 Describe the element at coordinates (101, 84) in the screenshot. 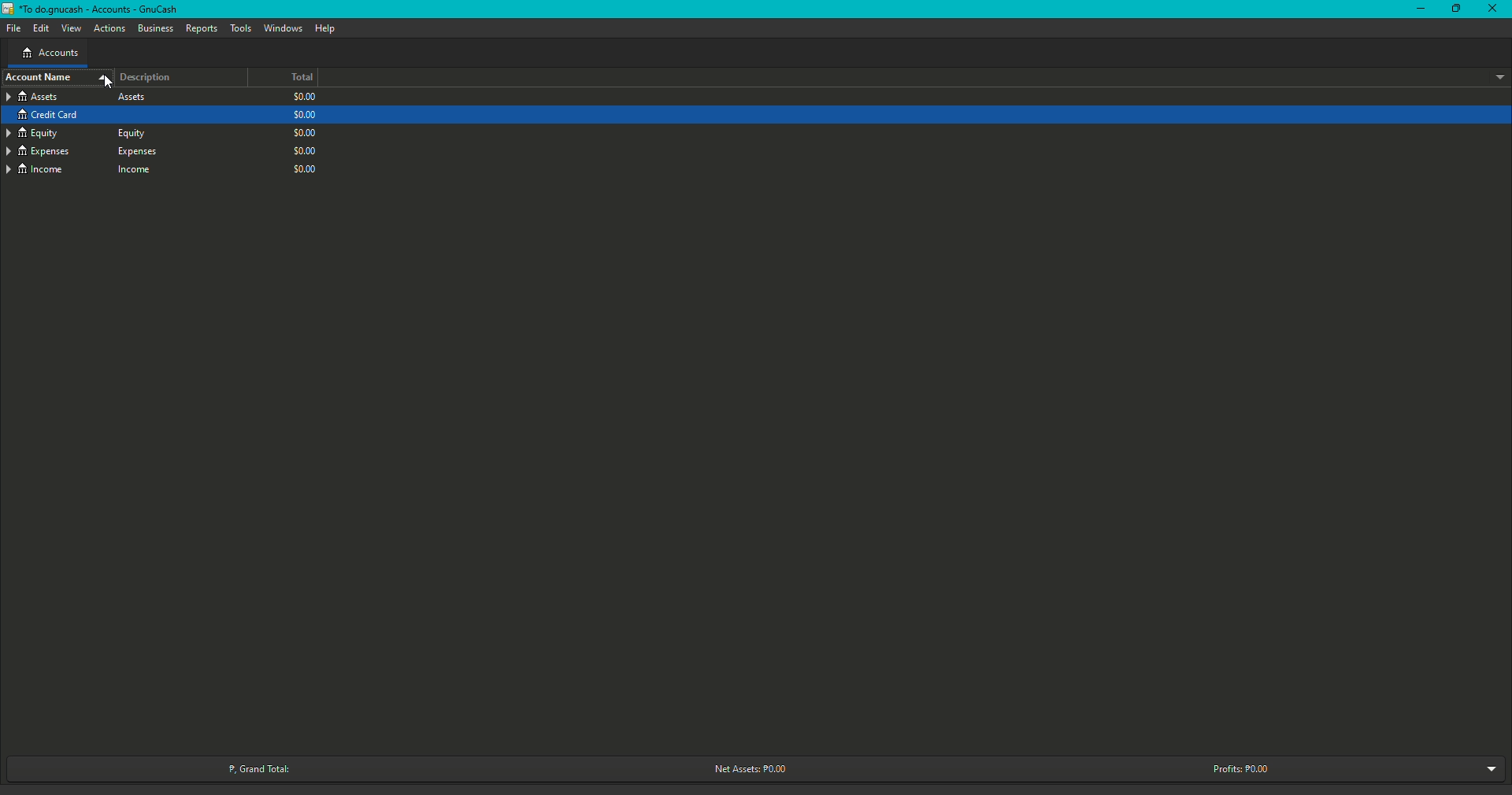

I see `cursor` at that location.